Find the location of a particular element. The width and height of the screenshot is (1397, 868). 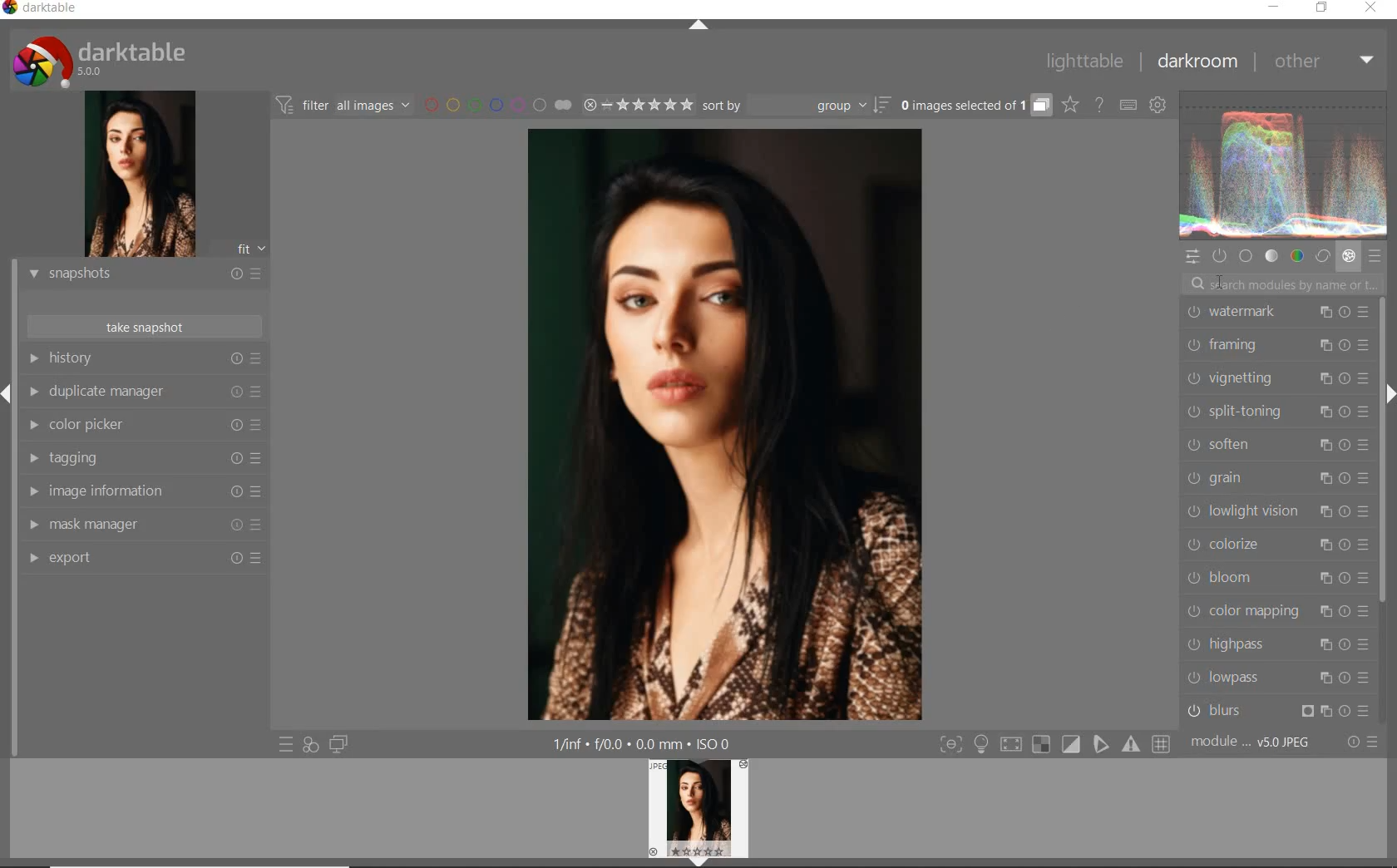

soften is located at coordinates (1275, 447).